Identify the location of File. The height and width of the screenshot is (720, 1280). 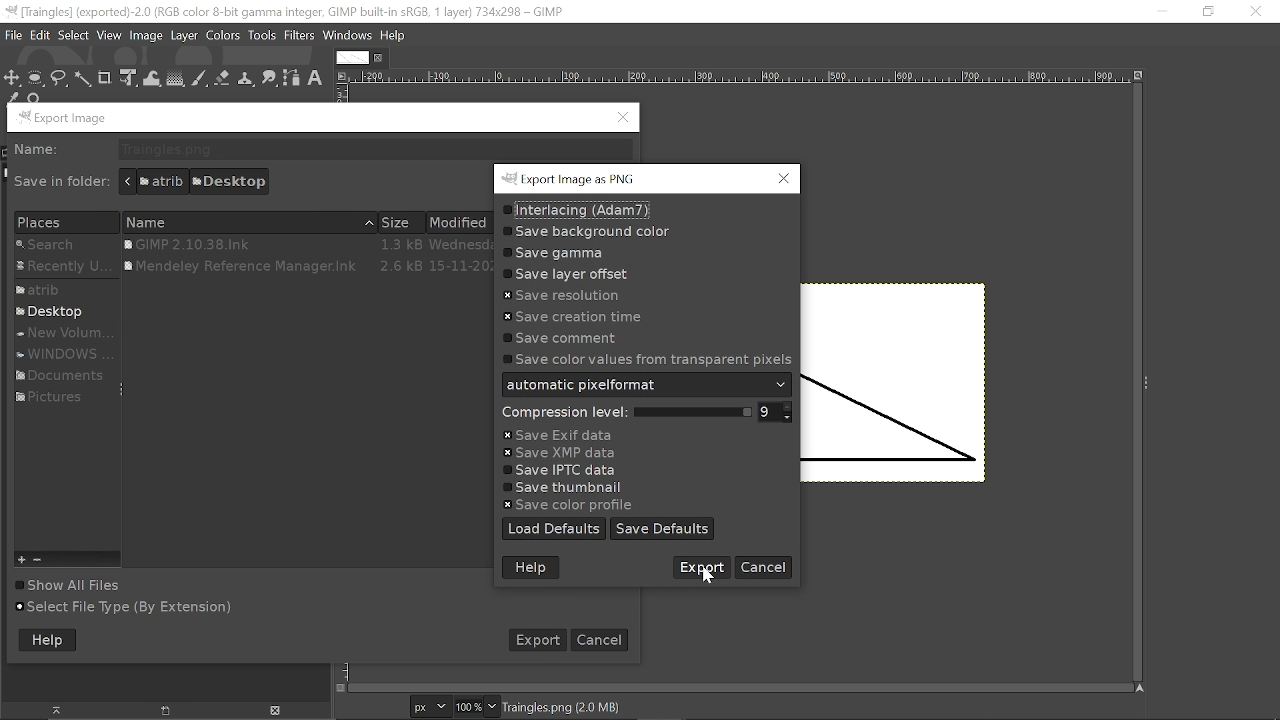
(40, 36).